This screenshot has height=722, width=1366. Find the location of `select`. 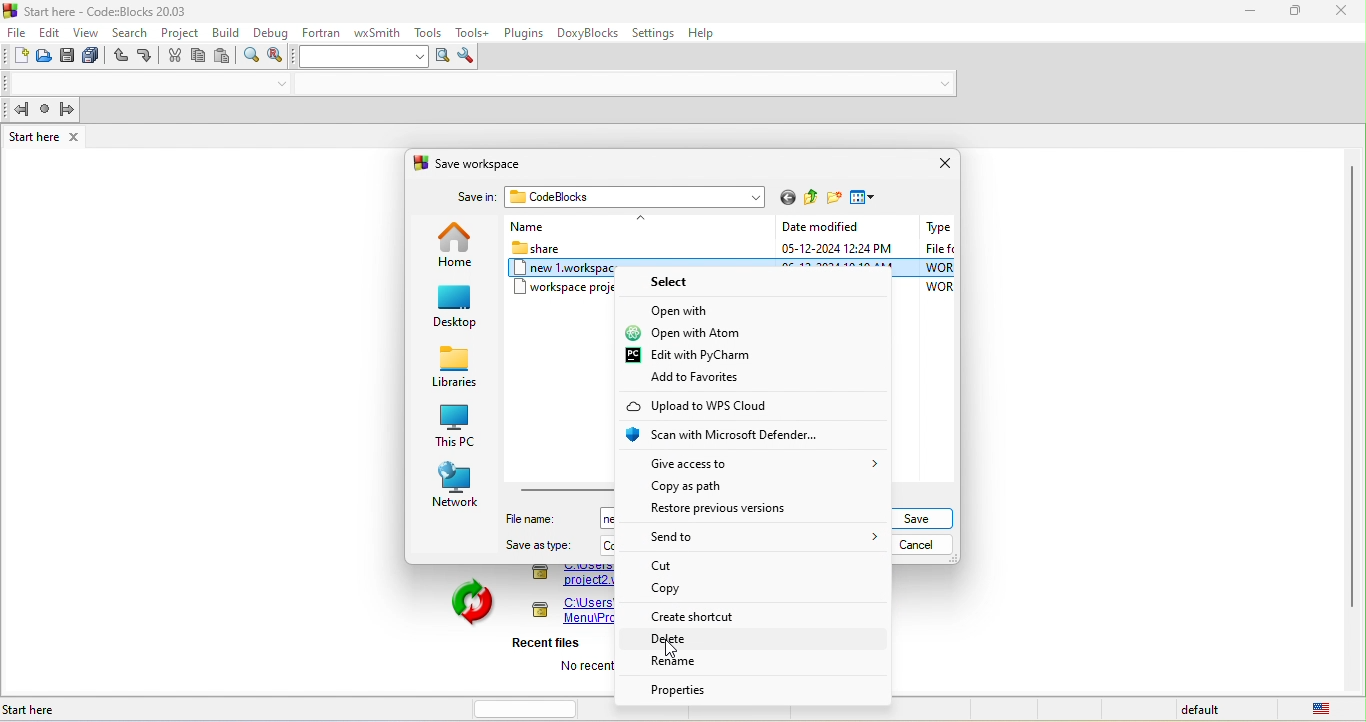

select is located at coordinates (682, 283).